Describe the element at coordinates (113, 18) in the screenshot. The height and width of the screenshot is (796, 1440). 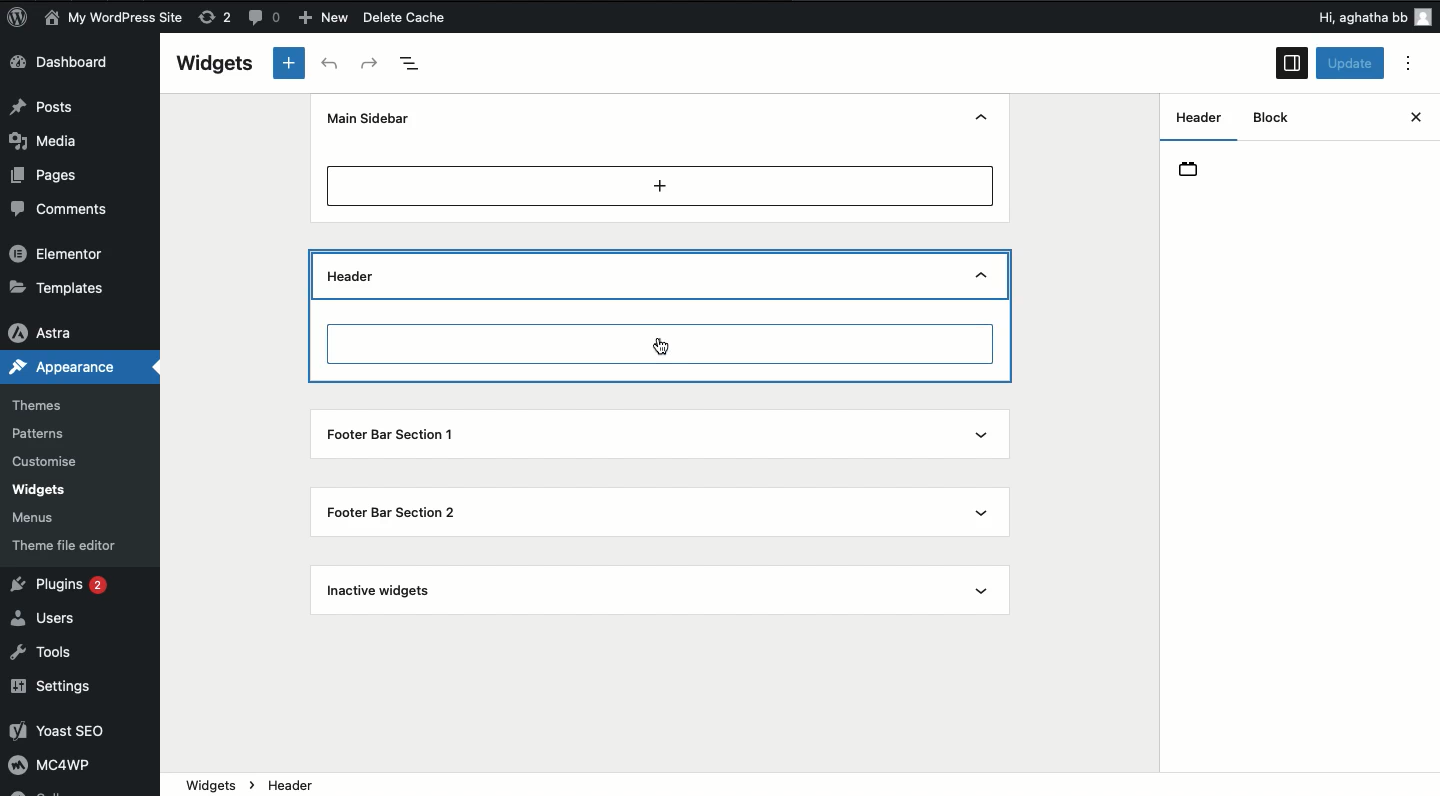
I see `My WordPress Site` at that location.